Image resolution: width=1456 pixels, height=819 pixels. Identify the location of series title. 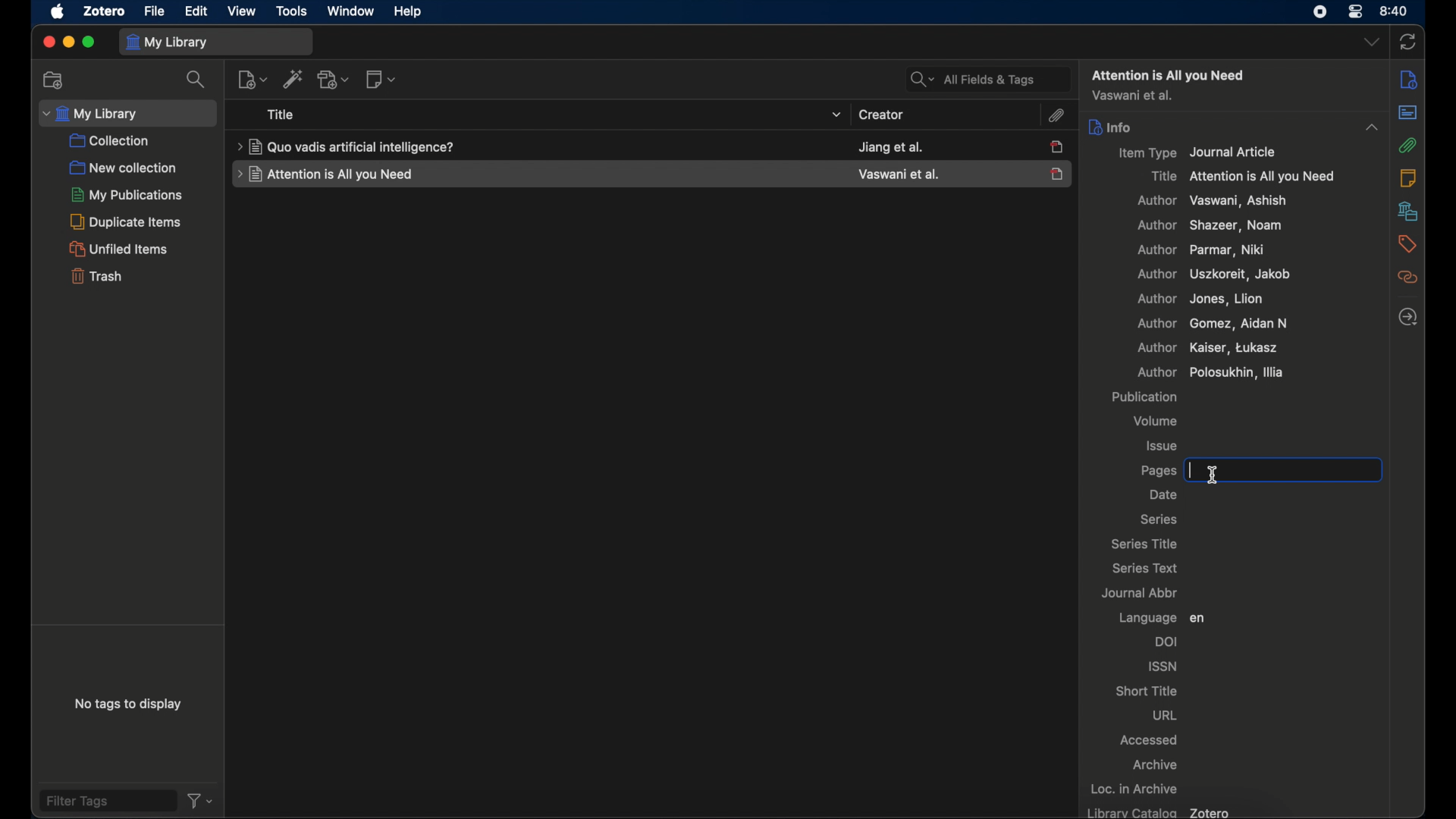
(1144, 543).